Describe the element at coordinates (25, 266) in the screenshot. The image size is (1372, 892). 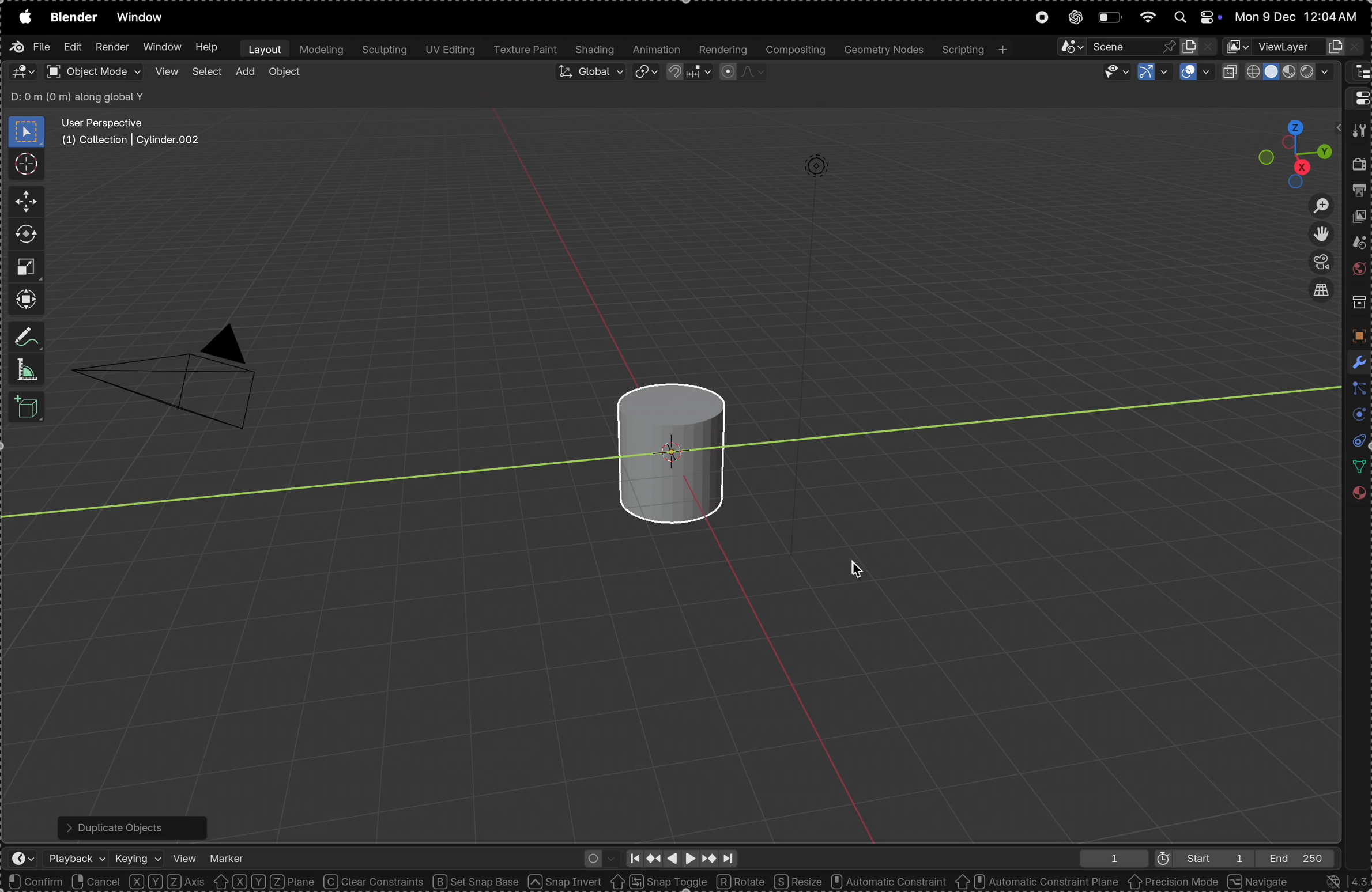
I see `scale` at that location.